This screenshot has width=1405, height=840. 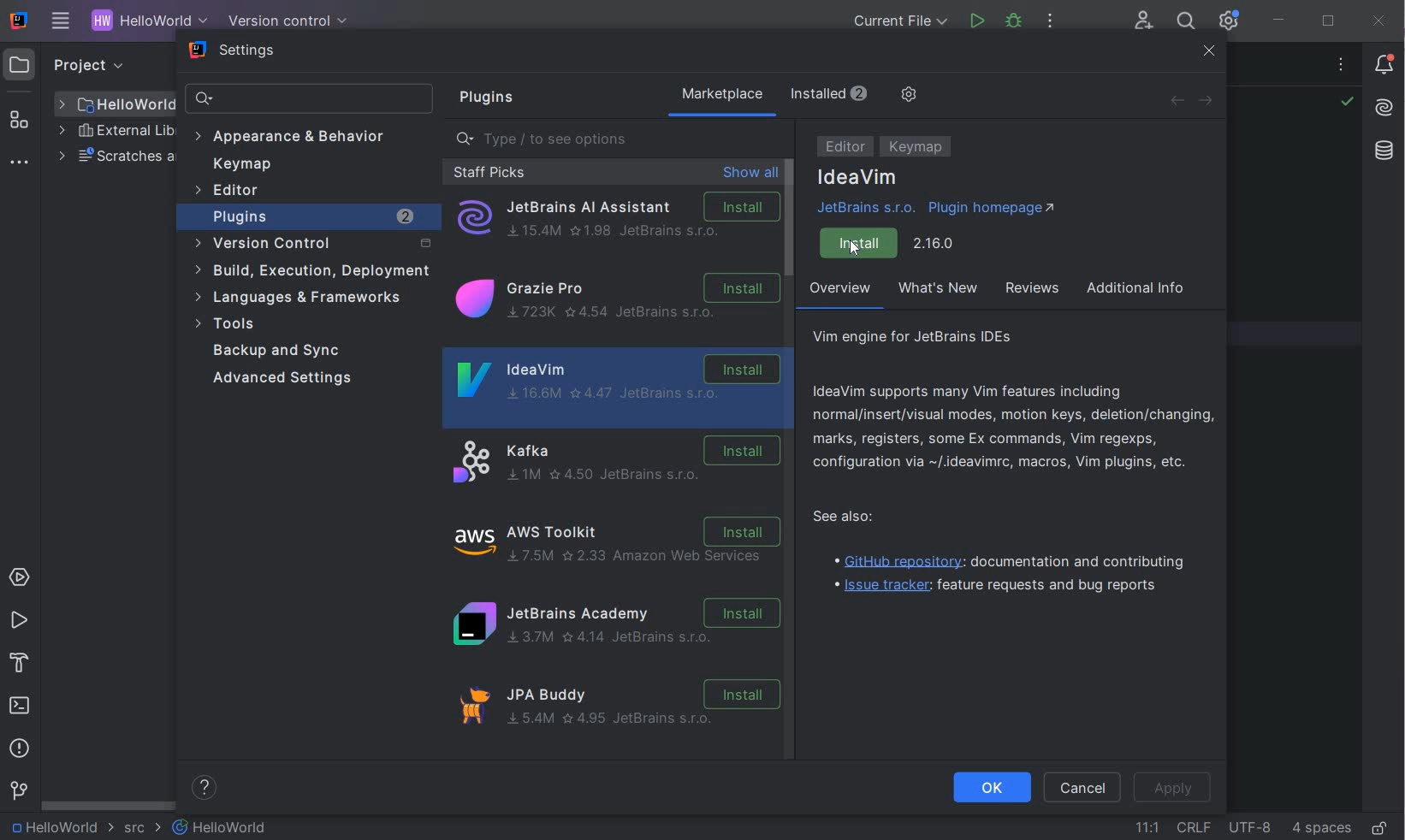 What do you see at coordinates (104, 805) in the screenshot?
I see `SCROLLBAR` at bounding box center [104, 805].